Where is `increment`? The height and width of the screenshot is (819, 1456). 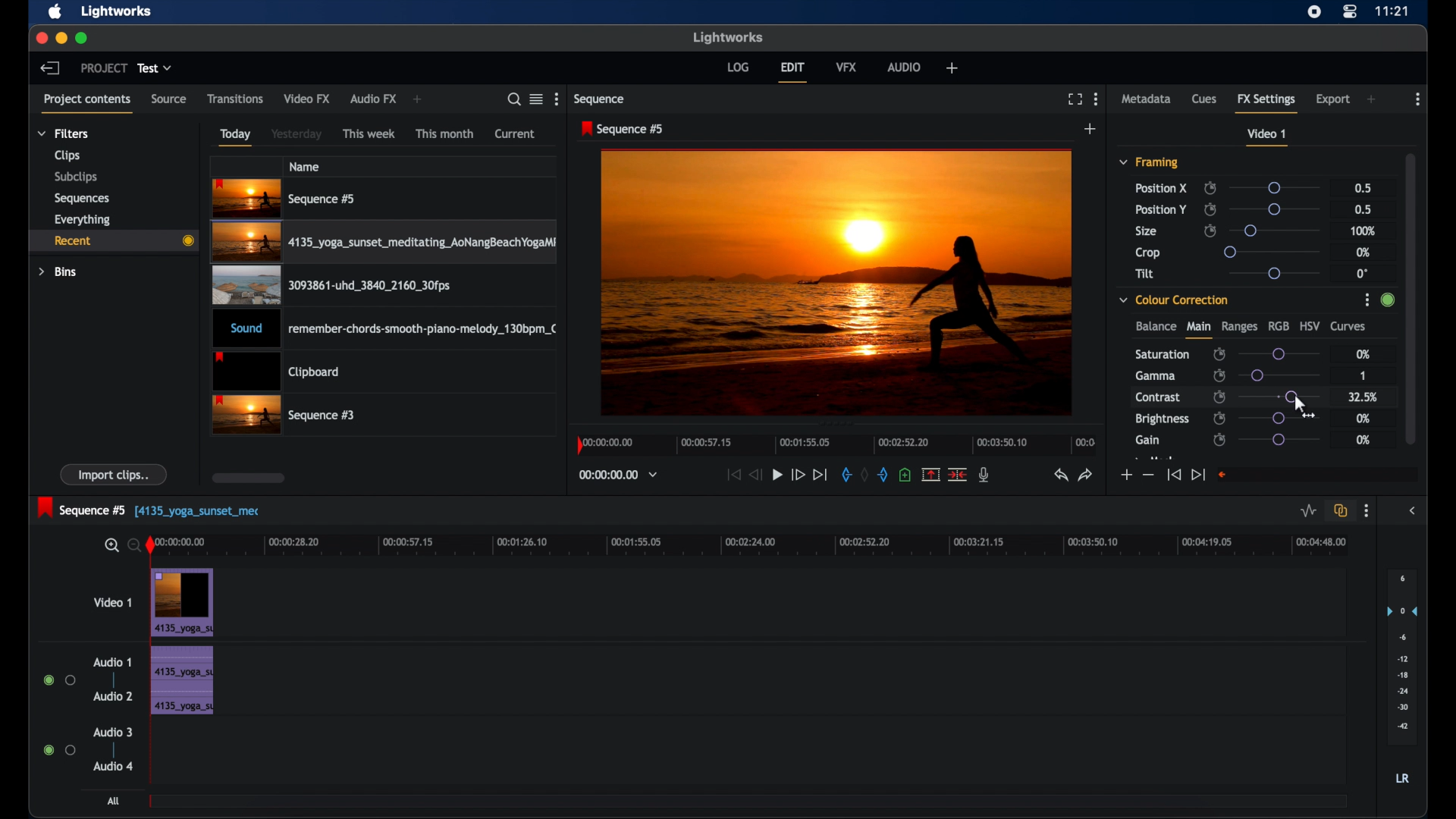 increment is located at coordinates (1125, 475).